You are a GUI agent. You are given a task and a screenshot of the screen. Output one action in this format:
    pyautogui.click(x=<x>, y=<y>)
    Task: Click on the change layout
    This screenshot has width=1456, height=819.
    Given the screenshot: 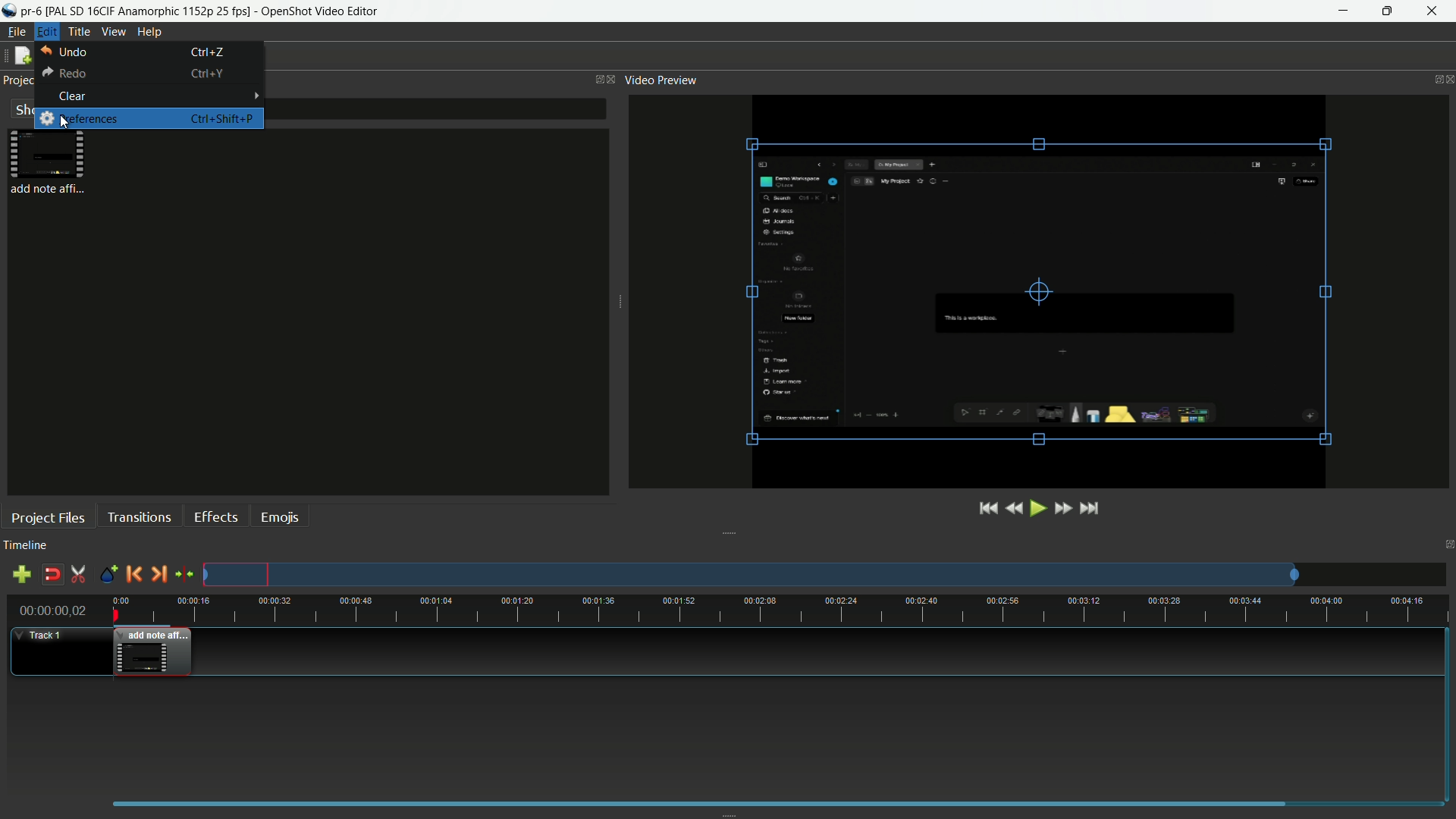 What is the action you would take?
    pyautogui.click(x=597, y=79)
    